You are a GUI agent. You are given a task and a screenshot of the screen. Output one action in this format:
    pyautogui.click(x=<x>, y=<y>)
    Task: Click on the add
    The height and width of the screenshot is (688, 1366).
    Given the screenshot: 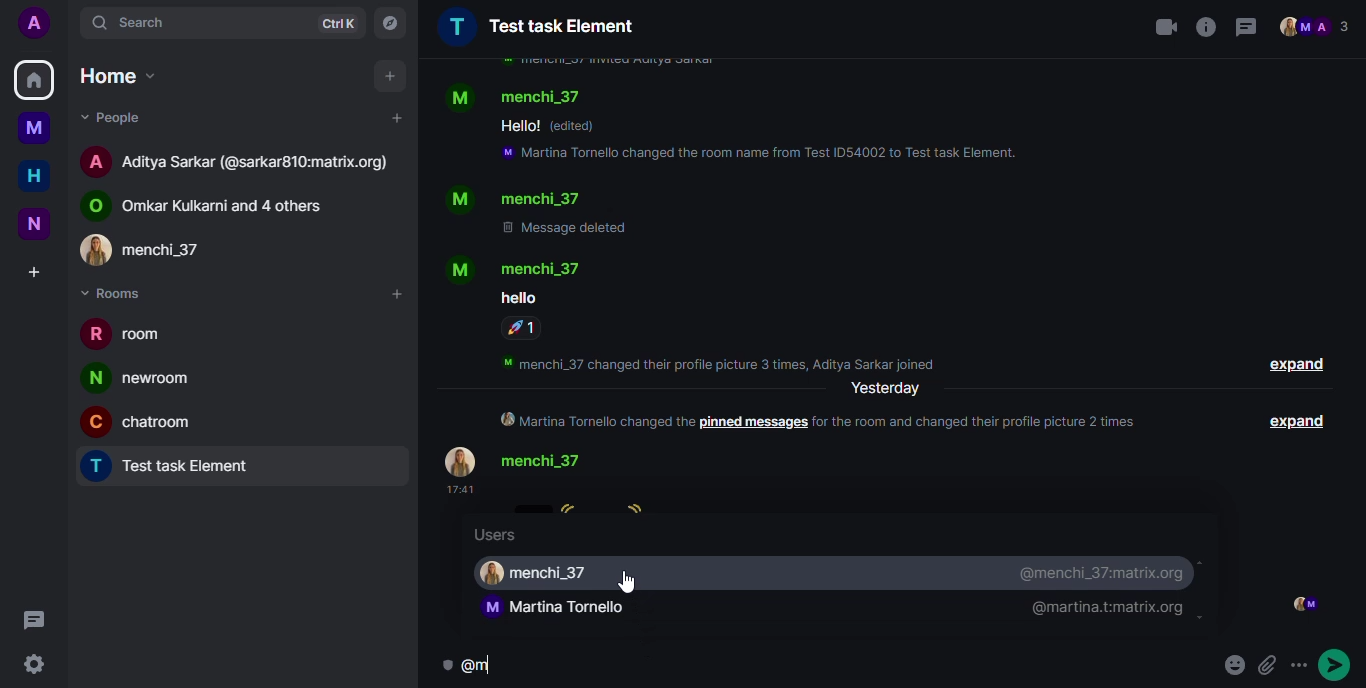 What is the action you would take?
    pyautogui.click(x=395, y=118)
    